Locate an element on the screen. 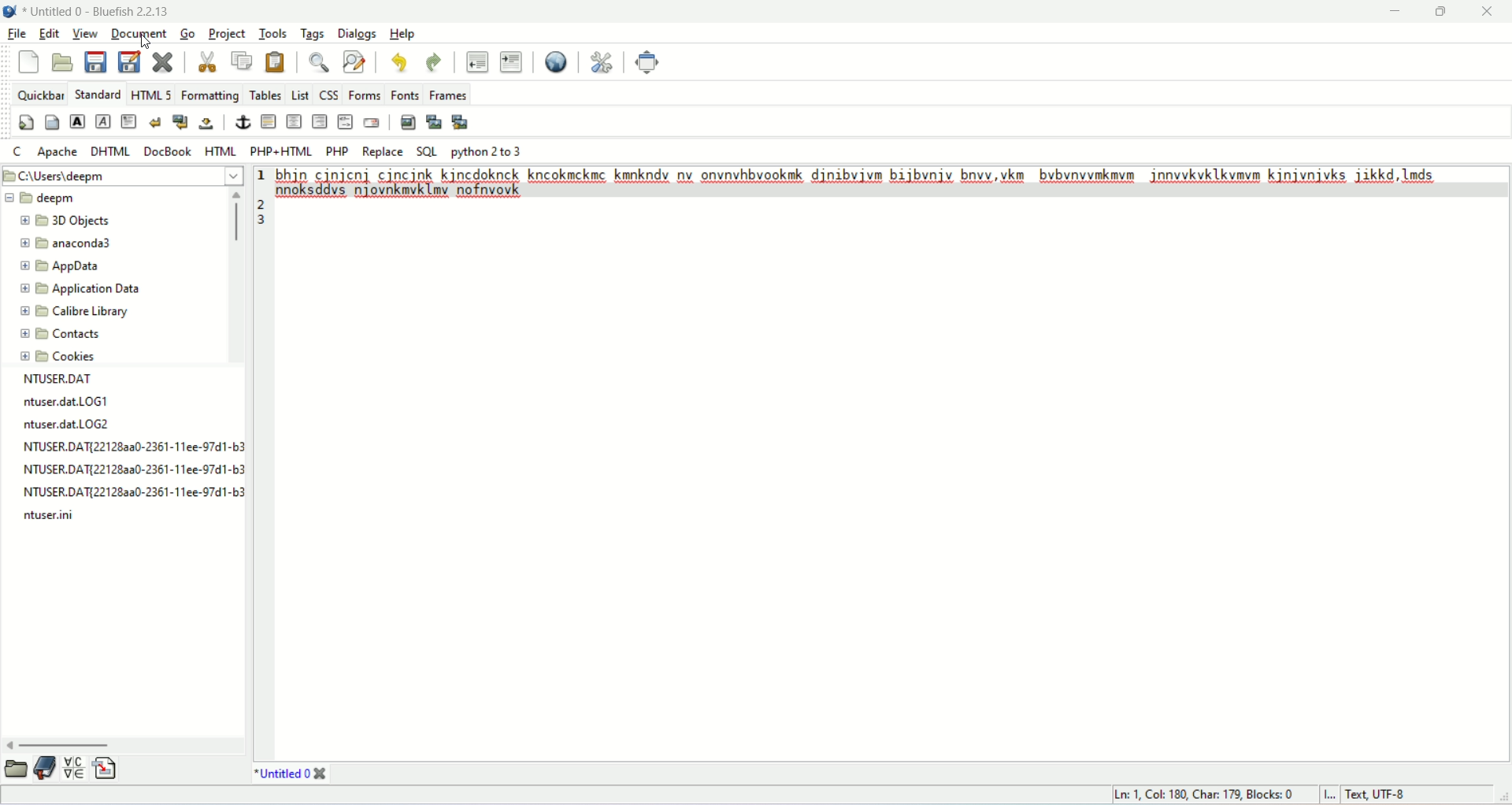  redo is located at coordinates (431, 63).